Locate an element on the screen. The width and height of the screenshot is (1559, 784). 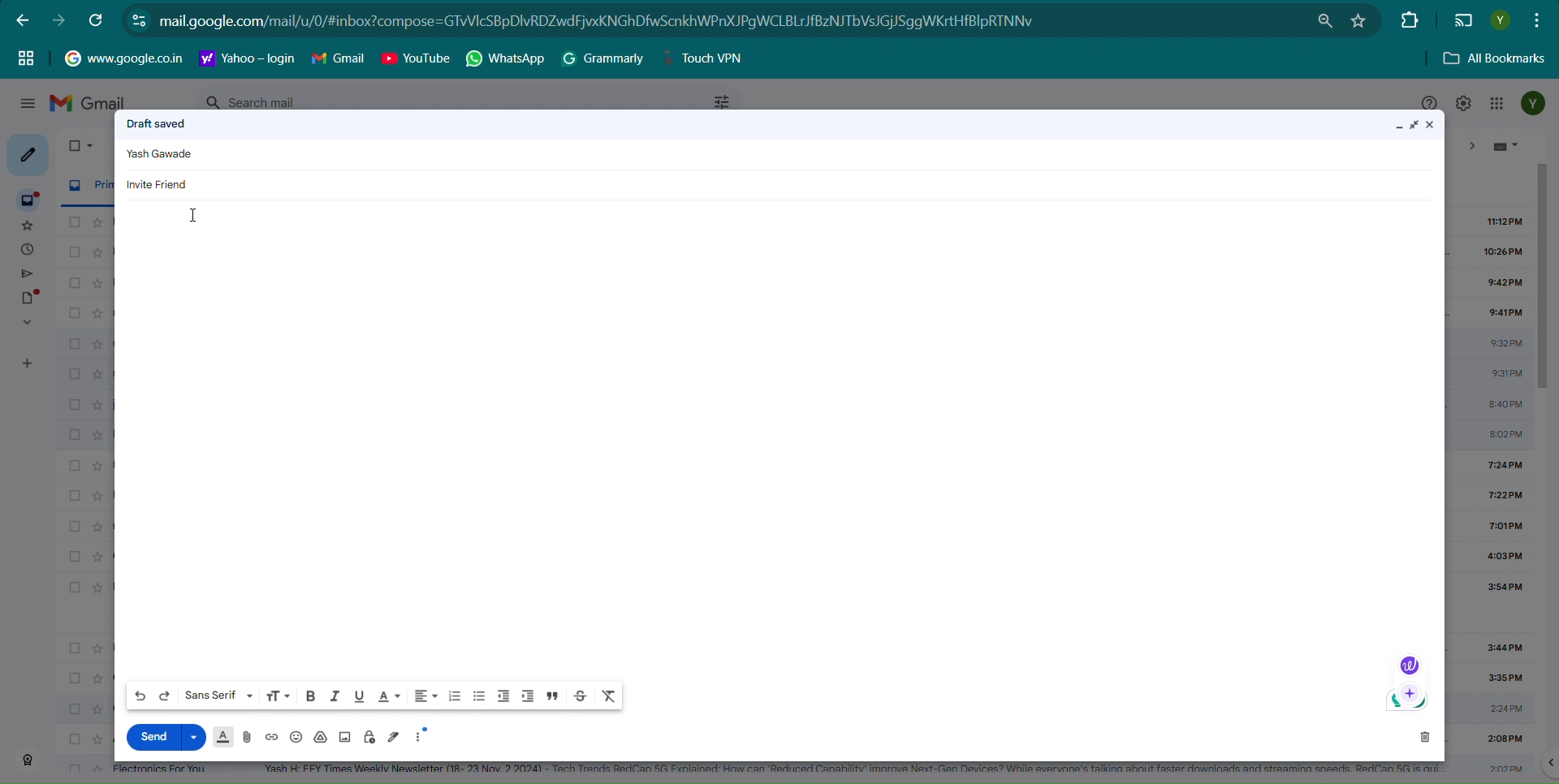
Forward is located at coordinates (58, 20).